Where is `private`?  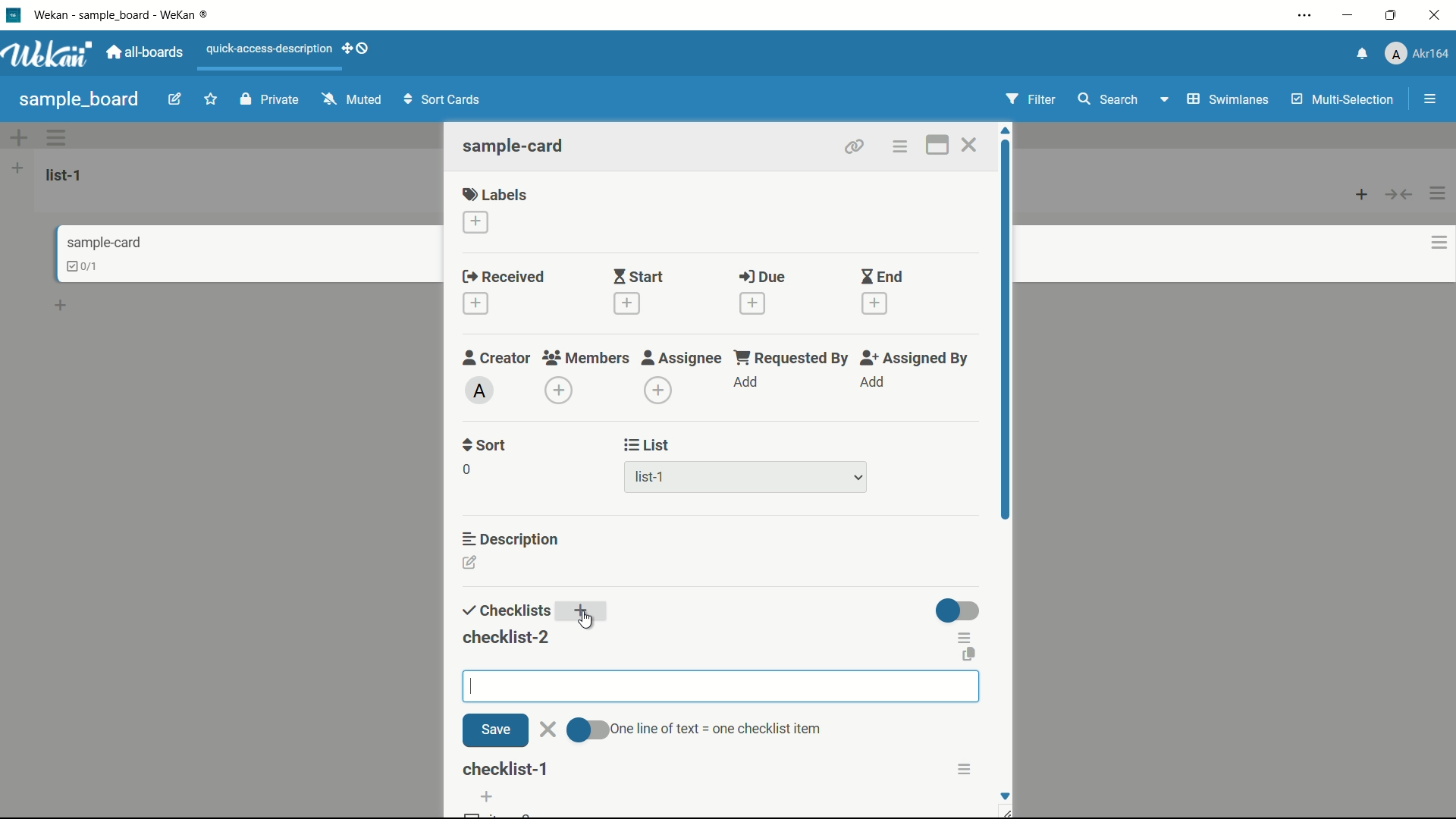 private is located at coordinates (270, 101).